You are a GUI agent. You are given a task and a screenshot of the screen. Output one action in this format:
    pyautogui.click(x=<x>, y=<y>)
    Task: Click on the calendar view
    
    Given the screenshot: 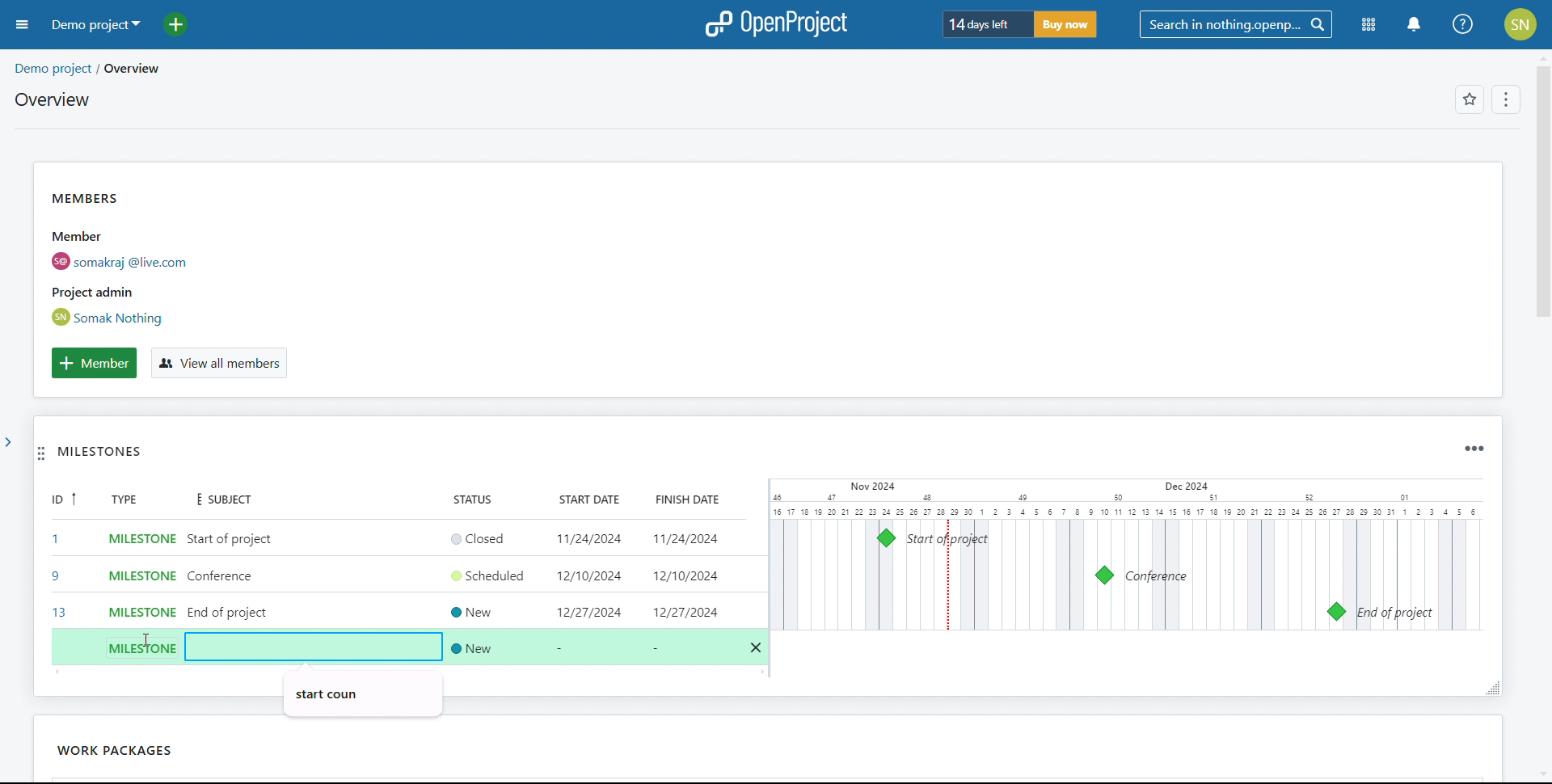 What is the action you would take?
    pyautogui.click(x=1125, y=554)
    